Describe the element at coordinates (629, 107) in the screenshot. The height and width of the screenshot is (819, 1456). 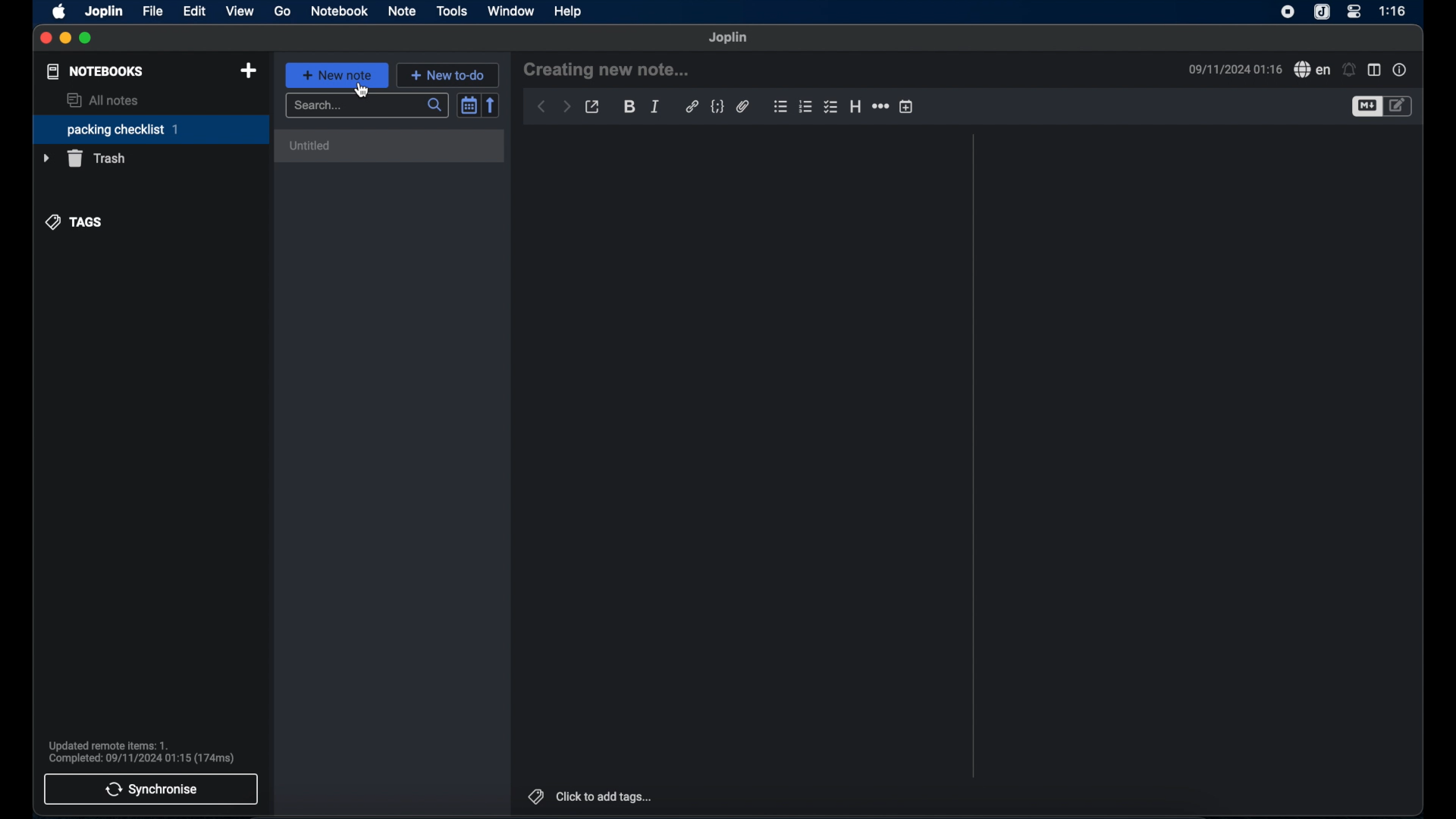
I see `bold` at that location.